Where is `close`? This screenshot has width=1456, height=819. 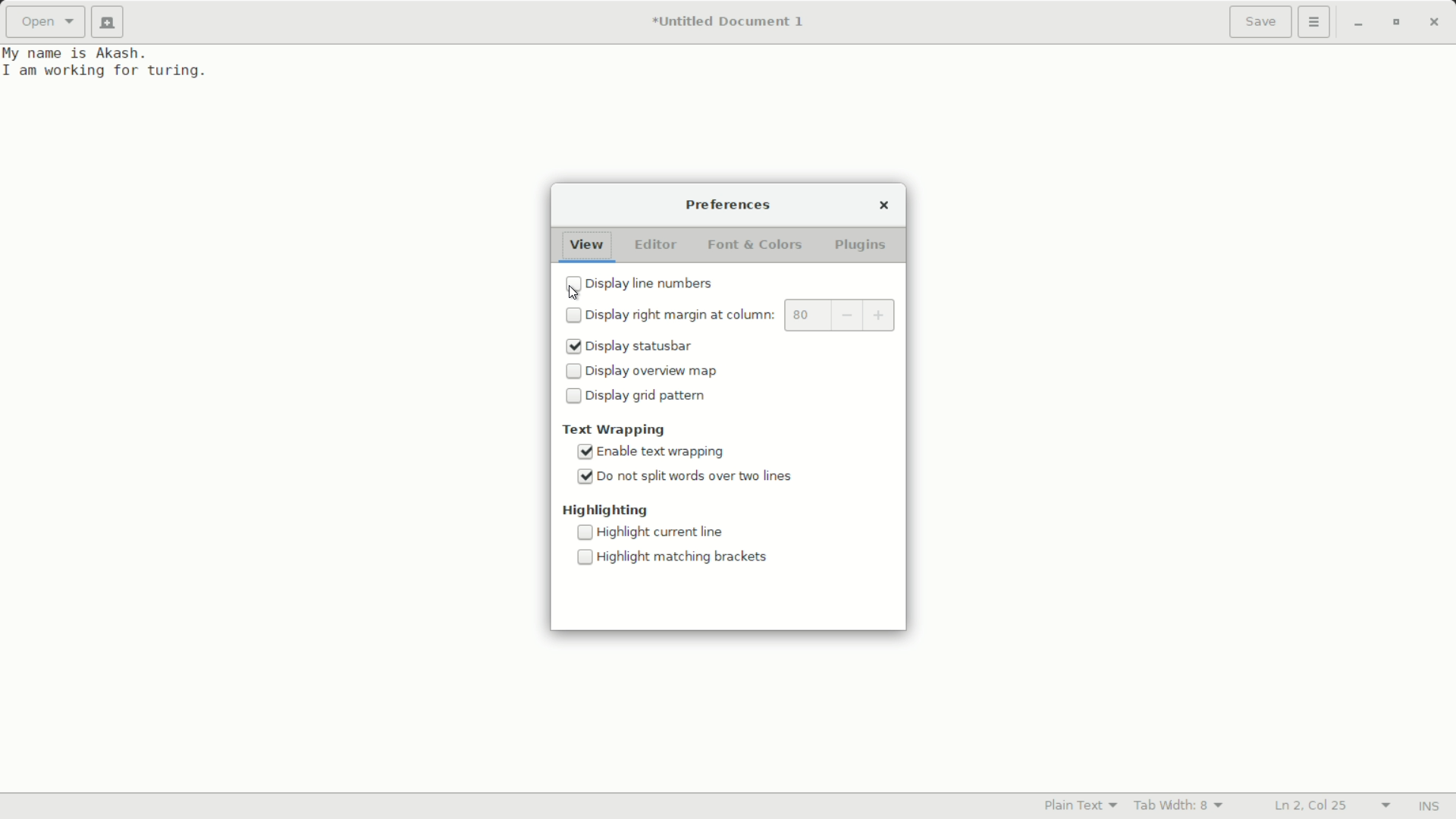 close is located at coordinates (886, 206).